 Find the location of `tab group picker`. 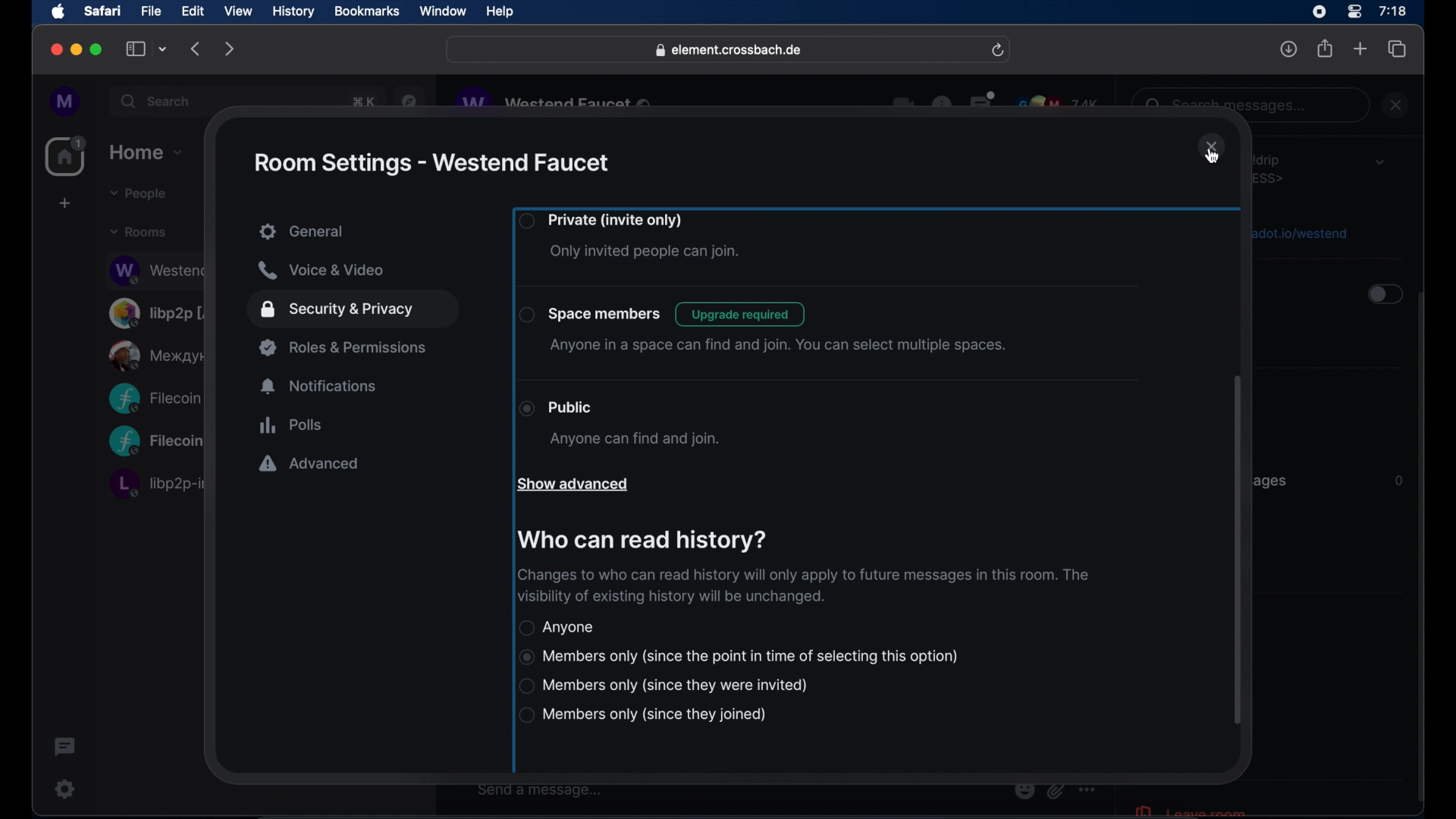

tab group picker is located at coordinates (163, 49).